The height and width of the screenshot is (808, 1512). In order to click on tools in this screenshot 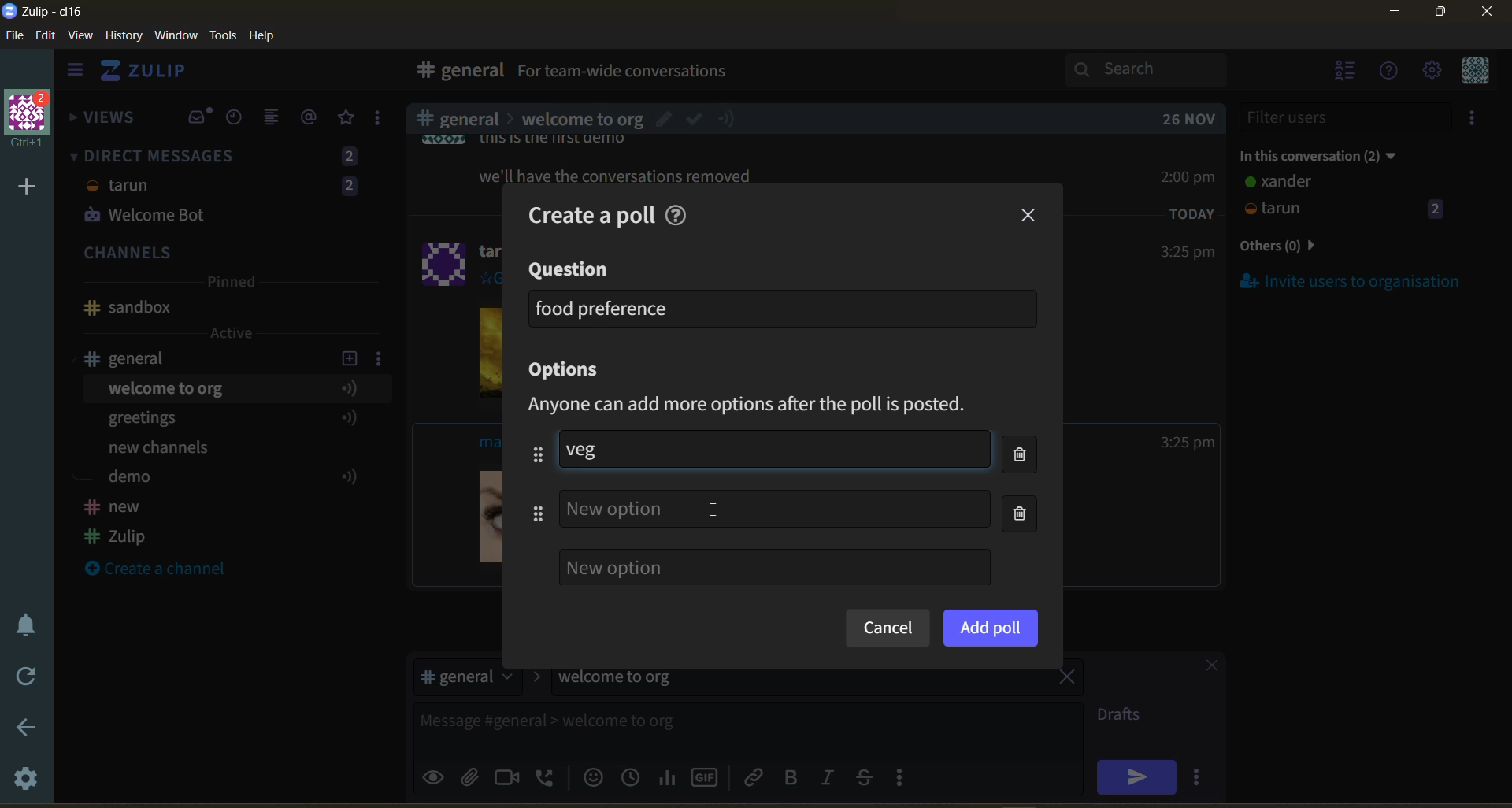, I will do `click(226, 34)`.